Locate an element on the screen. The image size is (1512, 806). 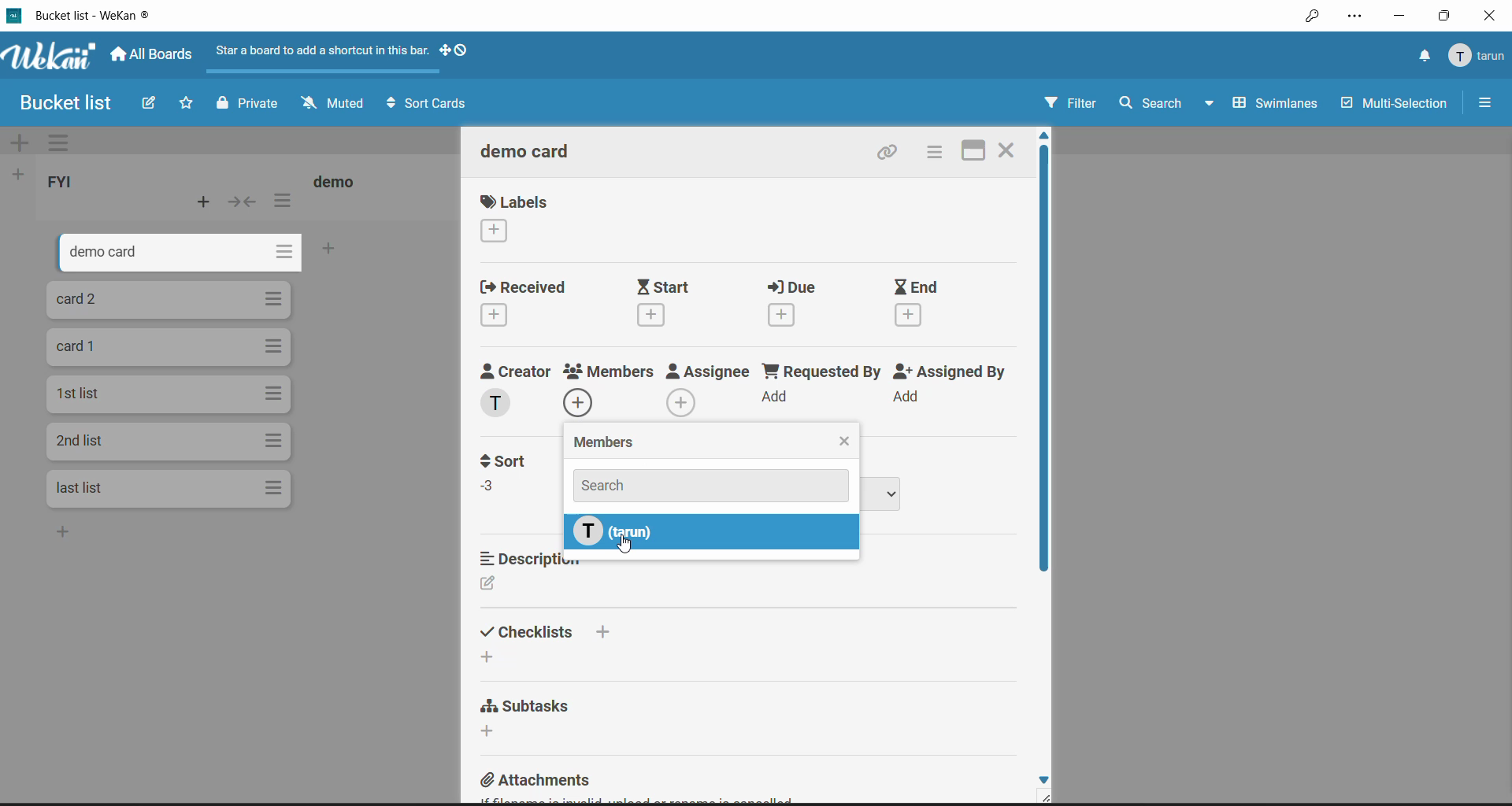
add list is located at coordinates (22, 175).